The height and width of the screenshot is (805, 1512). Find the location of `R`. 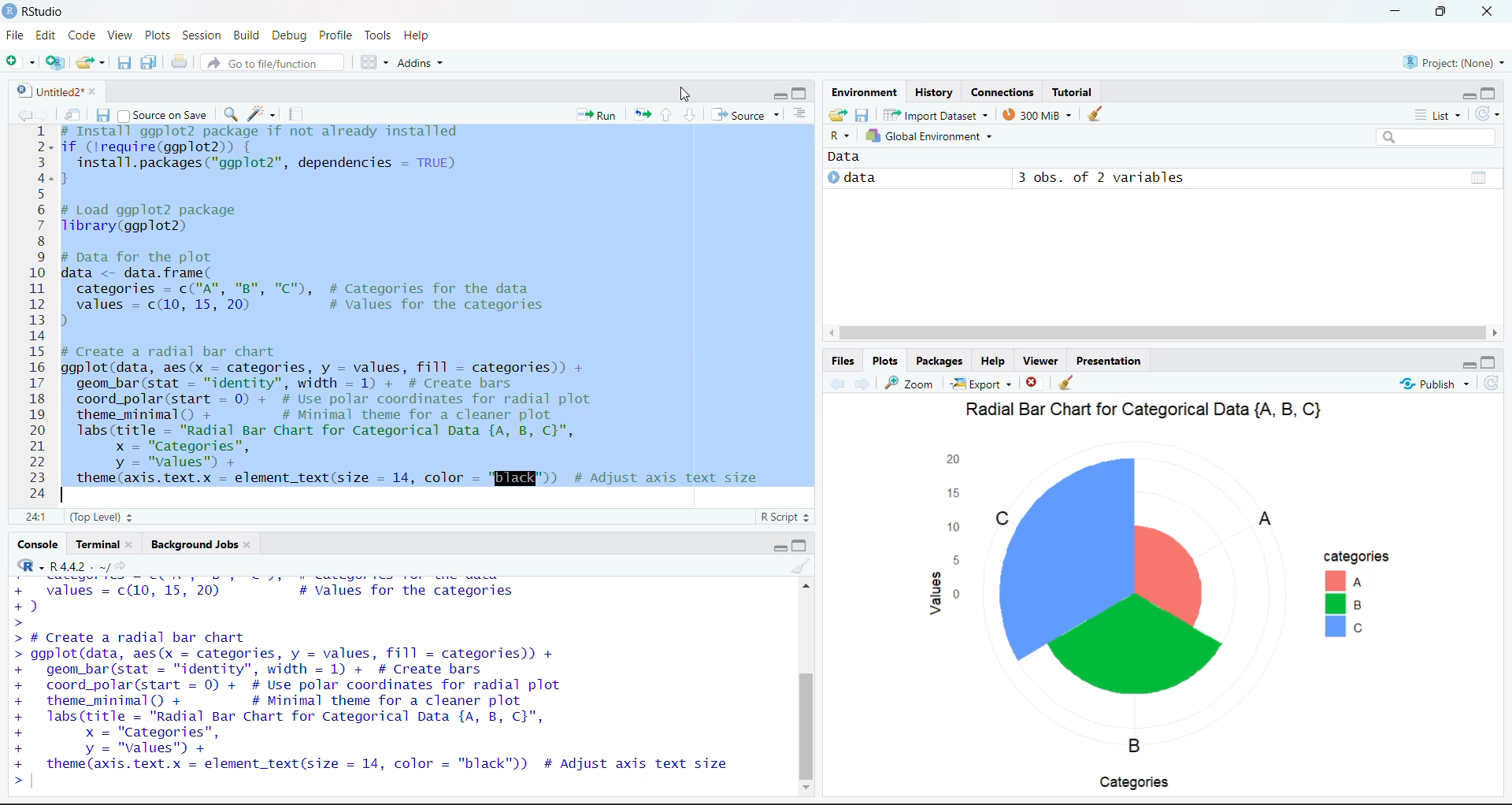

R is located at coordinates (838, 136).